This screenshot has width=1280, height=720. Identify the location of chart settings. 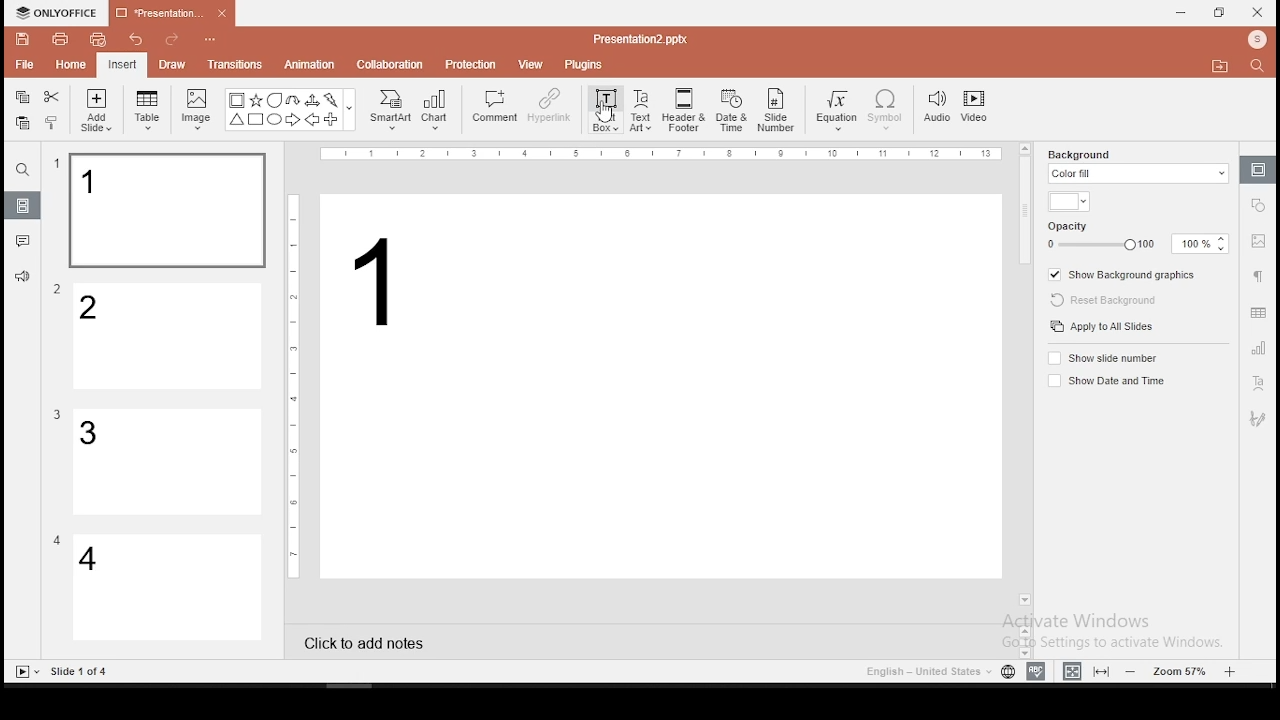
(1257, 348).